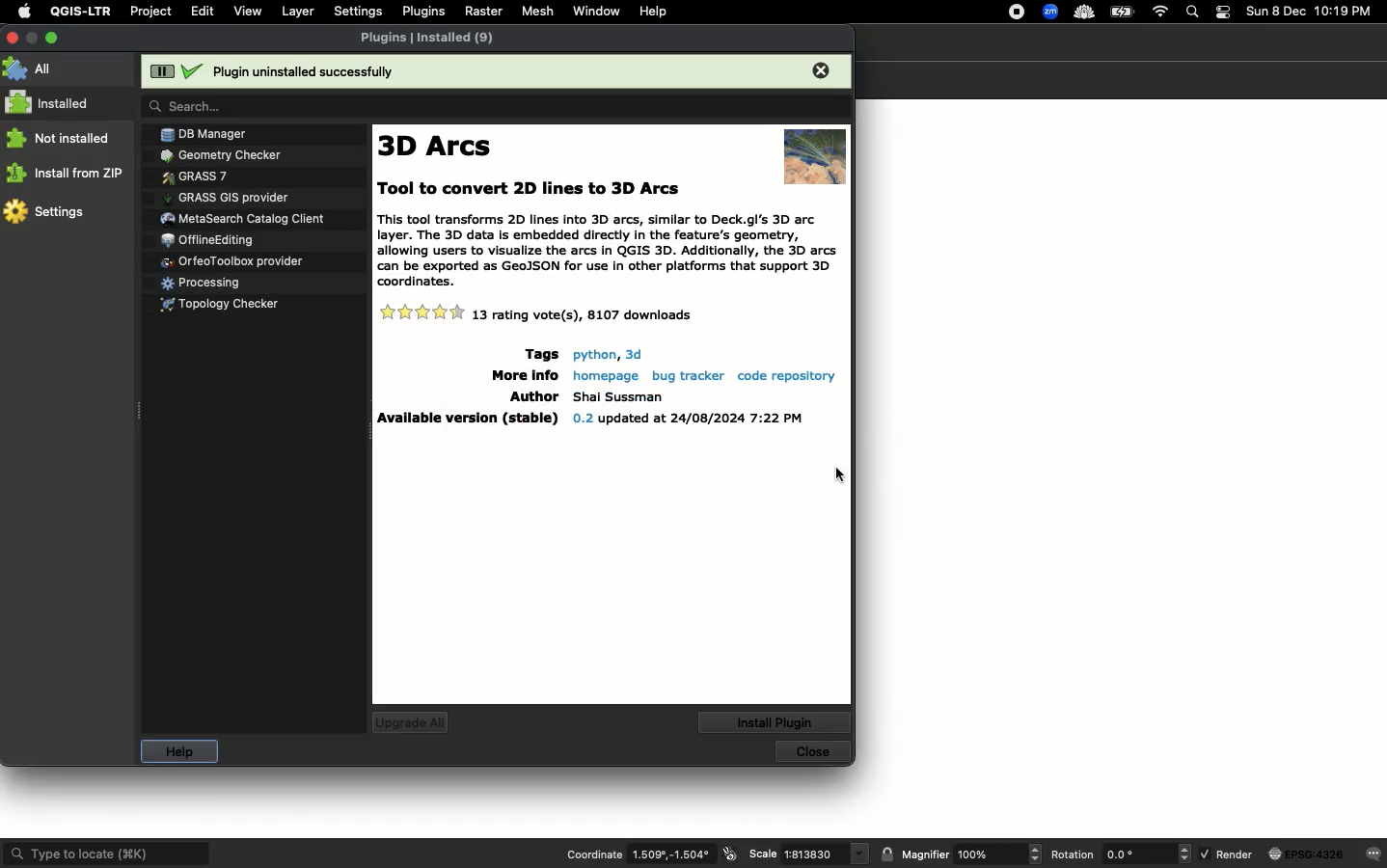 The width and height of the screenshot is (1387, 868). What do you see at coordinates (591, 421) in the screenshot?
I see `Details` at bounding box center [591, 421].